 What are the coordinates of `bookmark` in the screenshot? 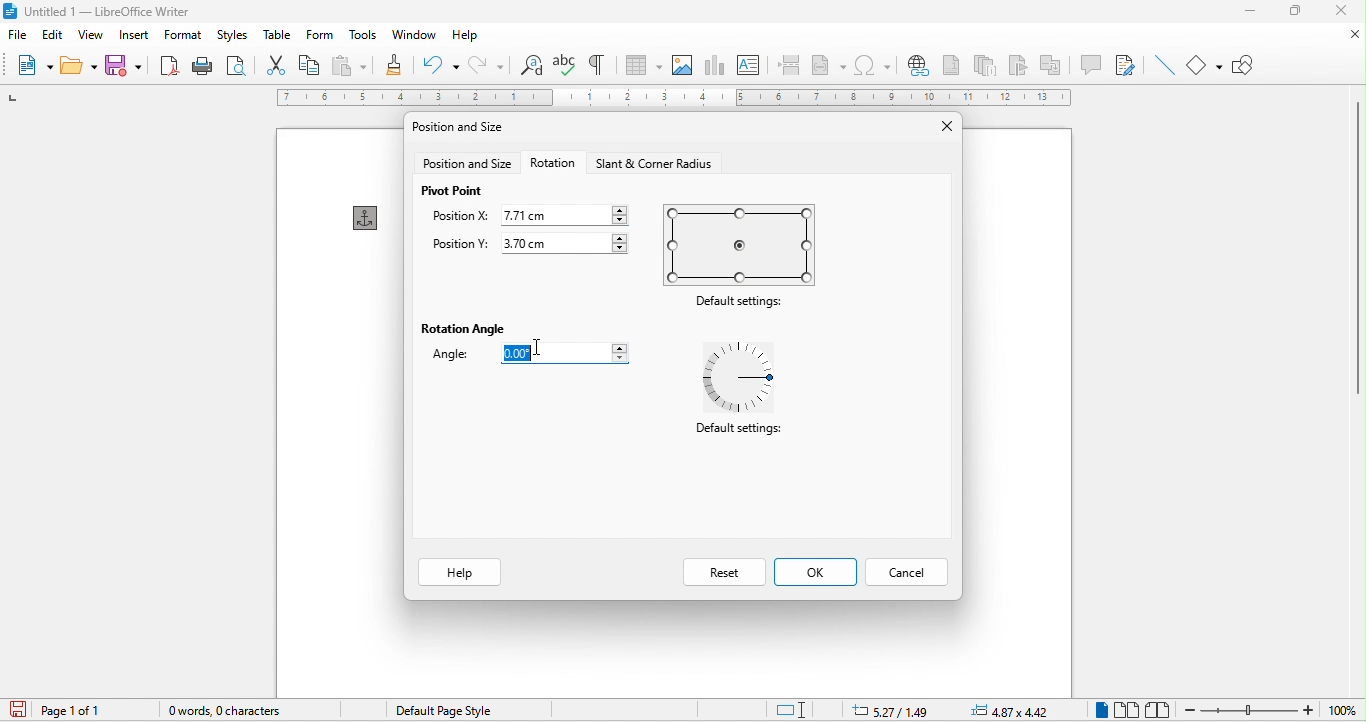 It's located at (1021, 65).